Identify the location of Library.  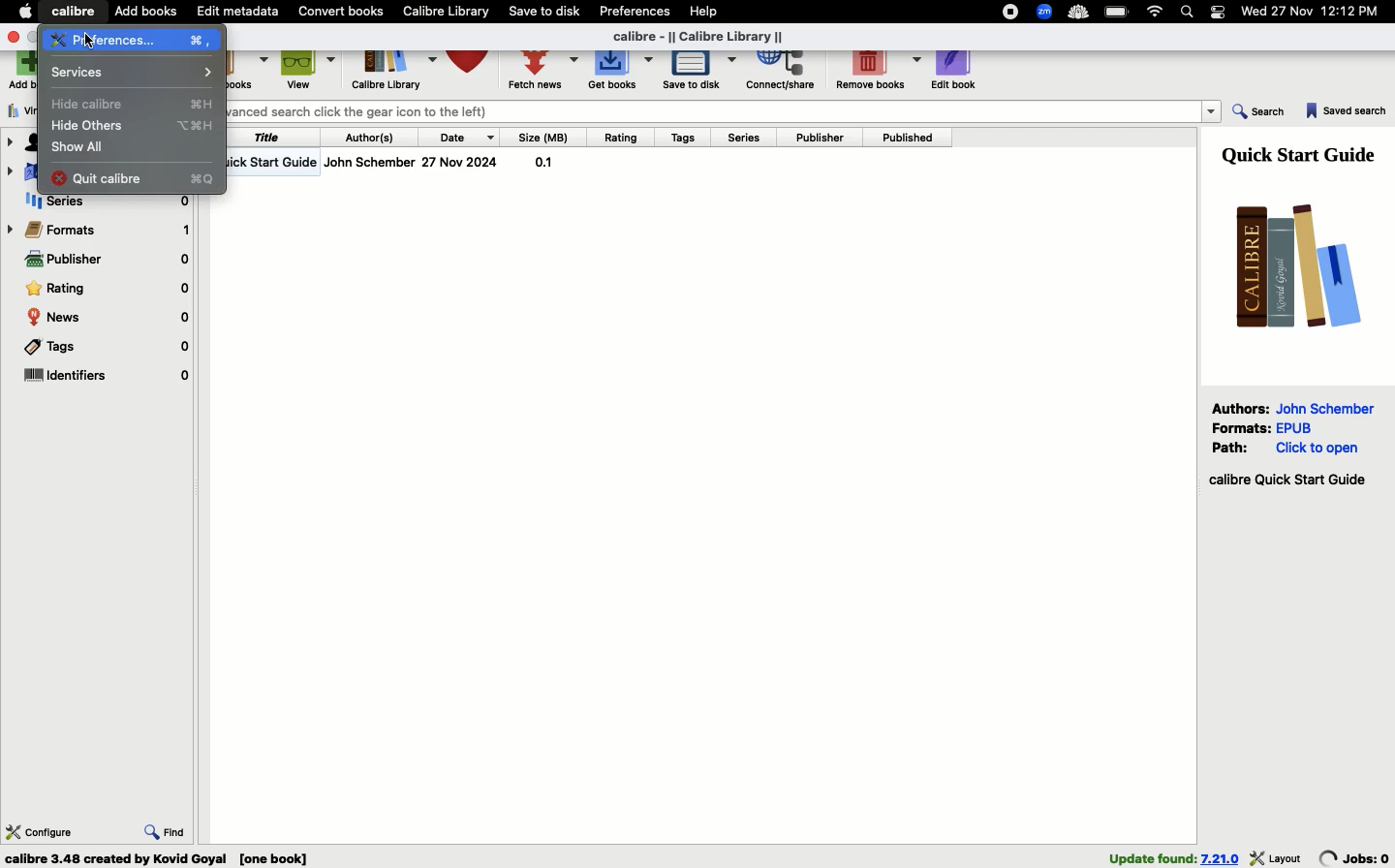
(393, 74).